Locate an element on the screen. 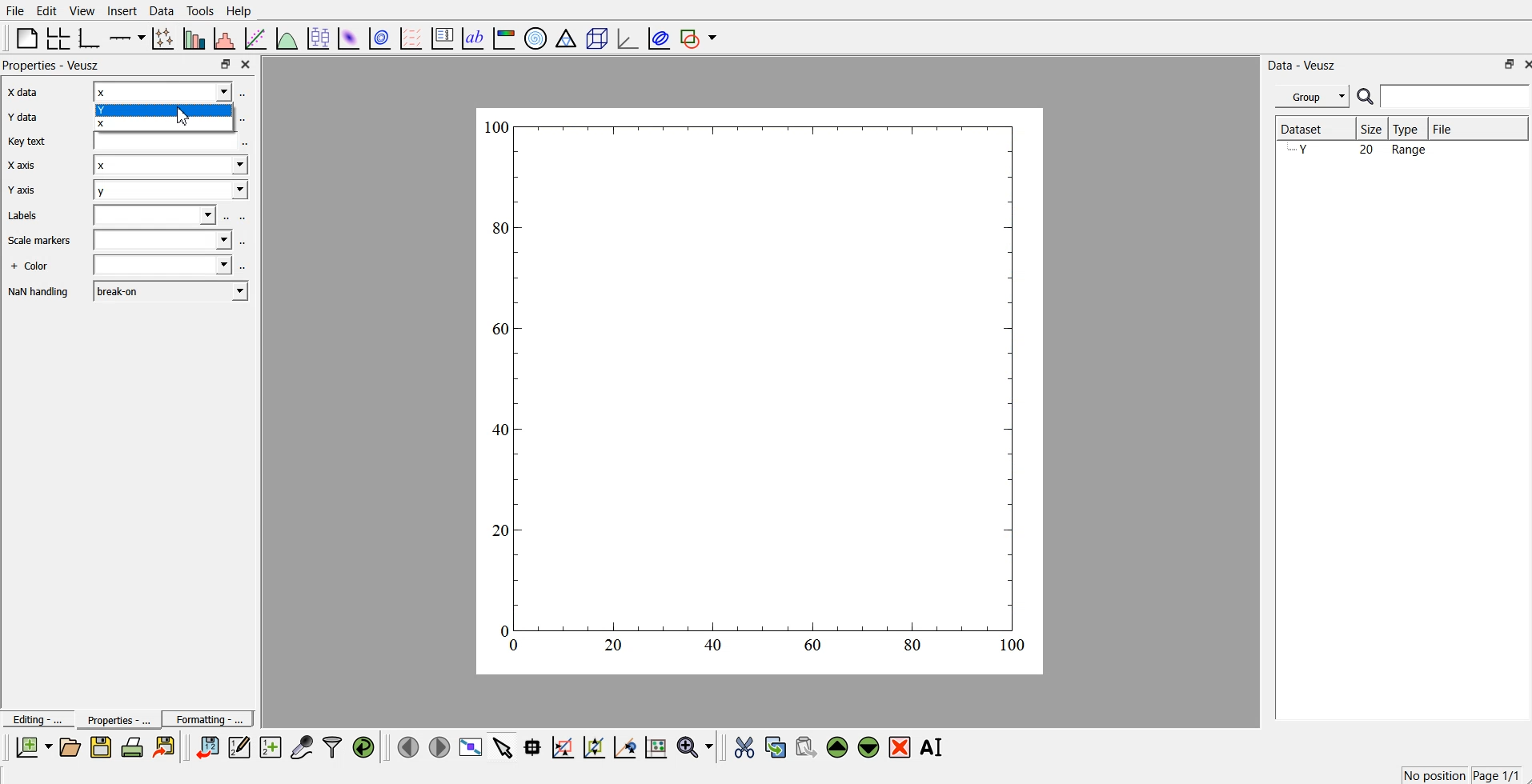 This screenshot has width=1532, height=784. Export to graphics format is located at coordinates (167, 748).